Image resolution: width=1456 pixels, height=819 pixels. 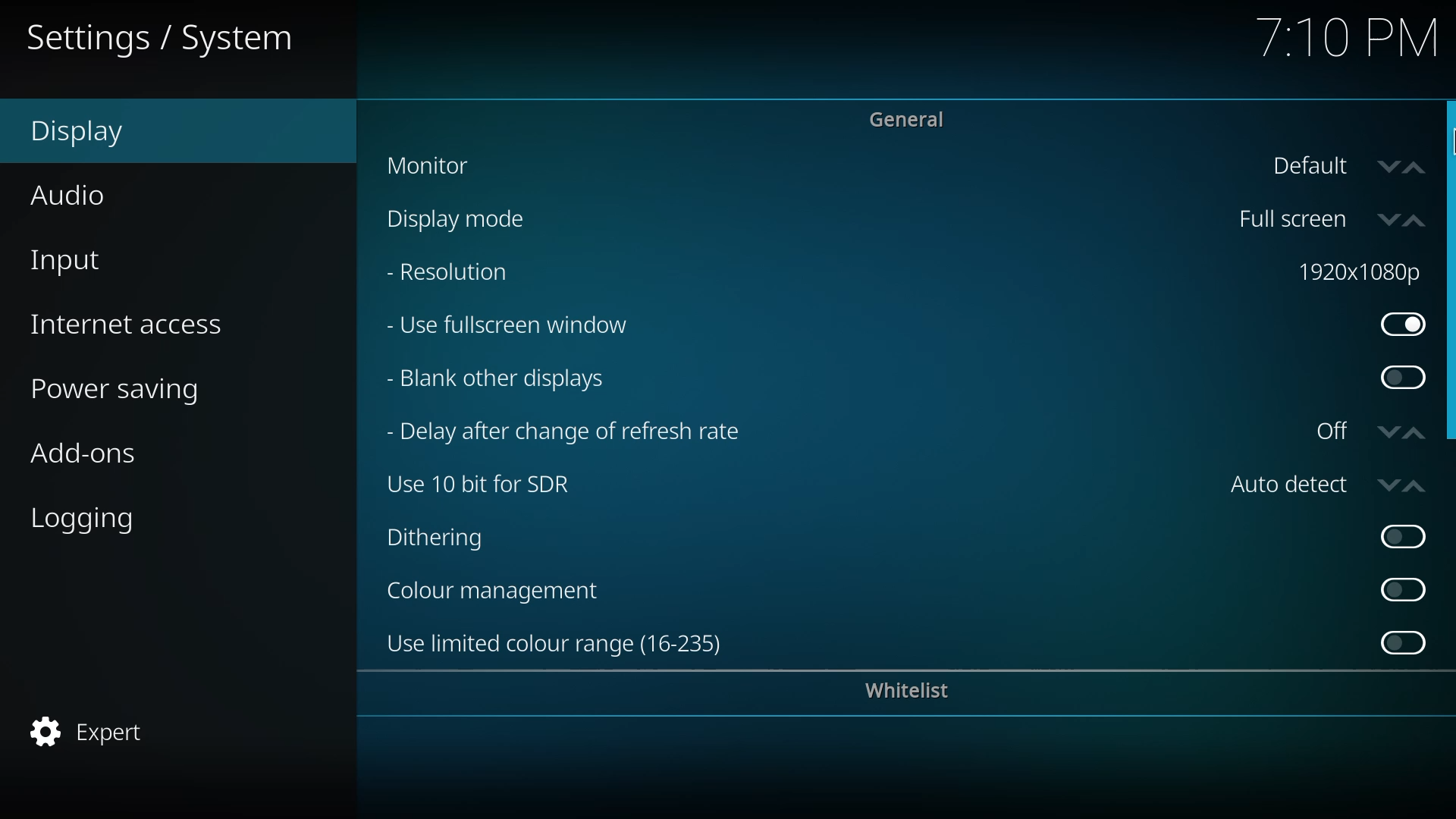 I want to click on general, so click(x=907, y=119).